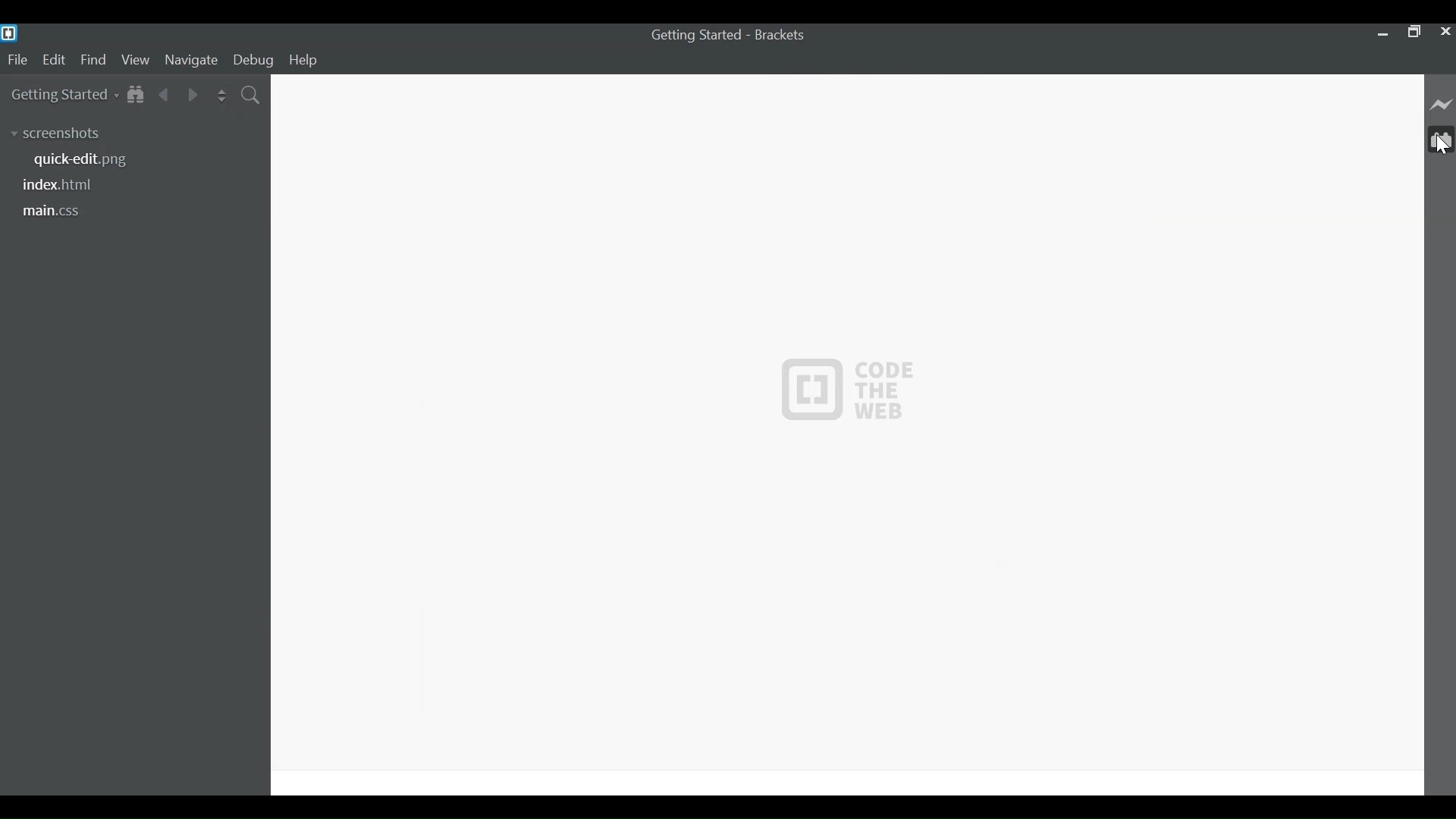  Describe the element at coordinates (9, 33) in the screenshot. I see `Brackets Desktop icon` at that location.